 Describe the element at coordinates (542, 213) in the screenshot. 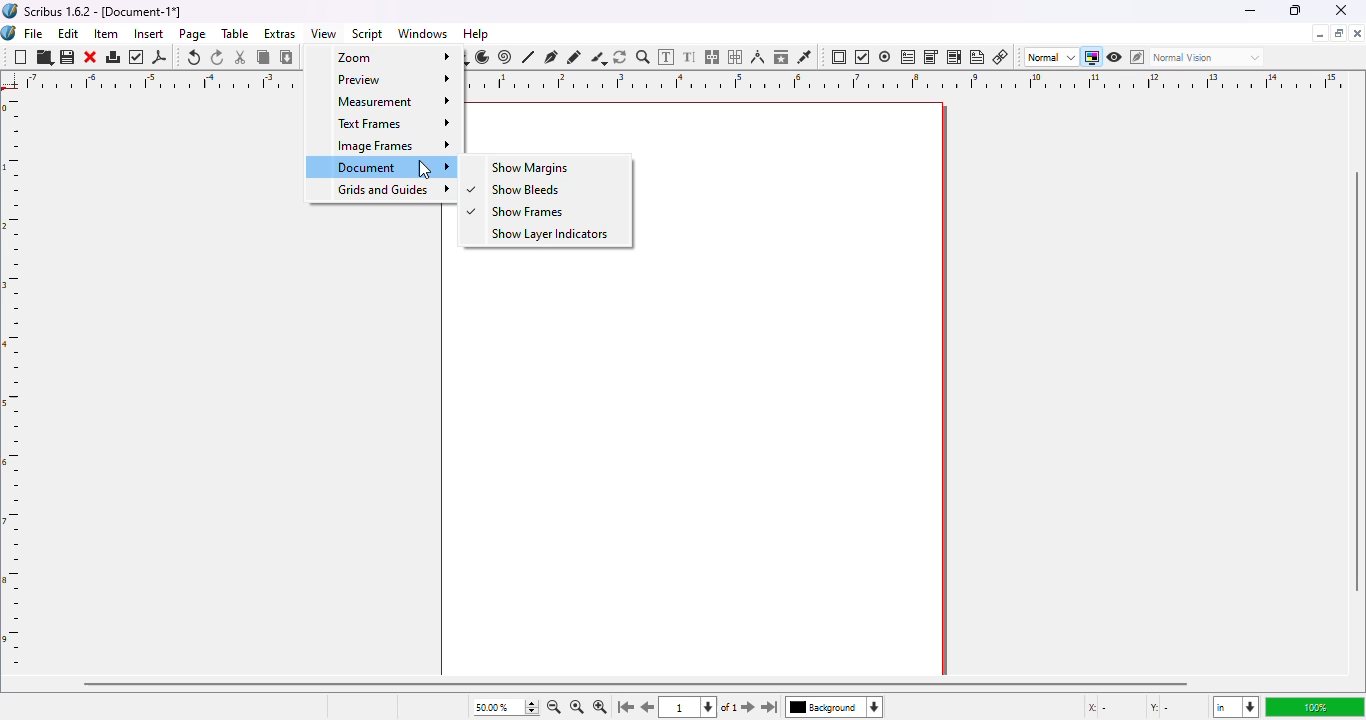

I see `show frames` at that location.